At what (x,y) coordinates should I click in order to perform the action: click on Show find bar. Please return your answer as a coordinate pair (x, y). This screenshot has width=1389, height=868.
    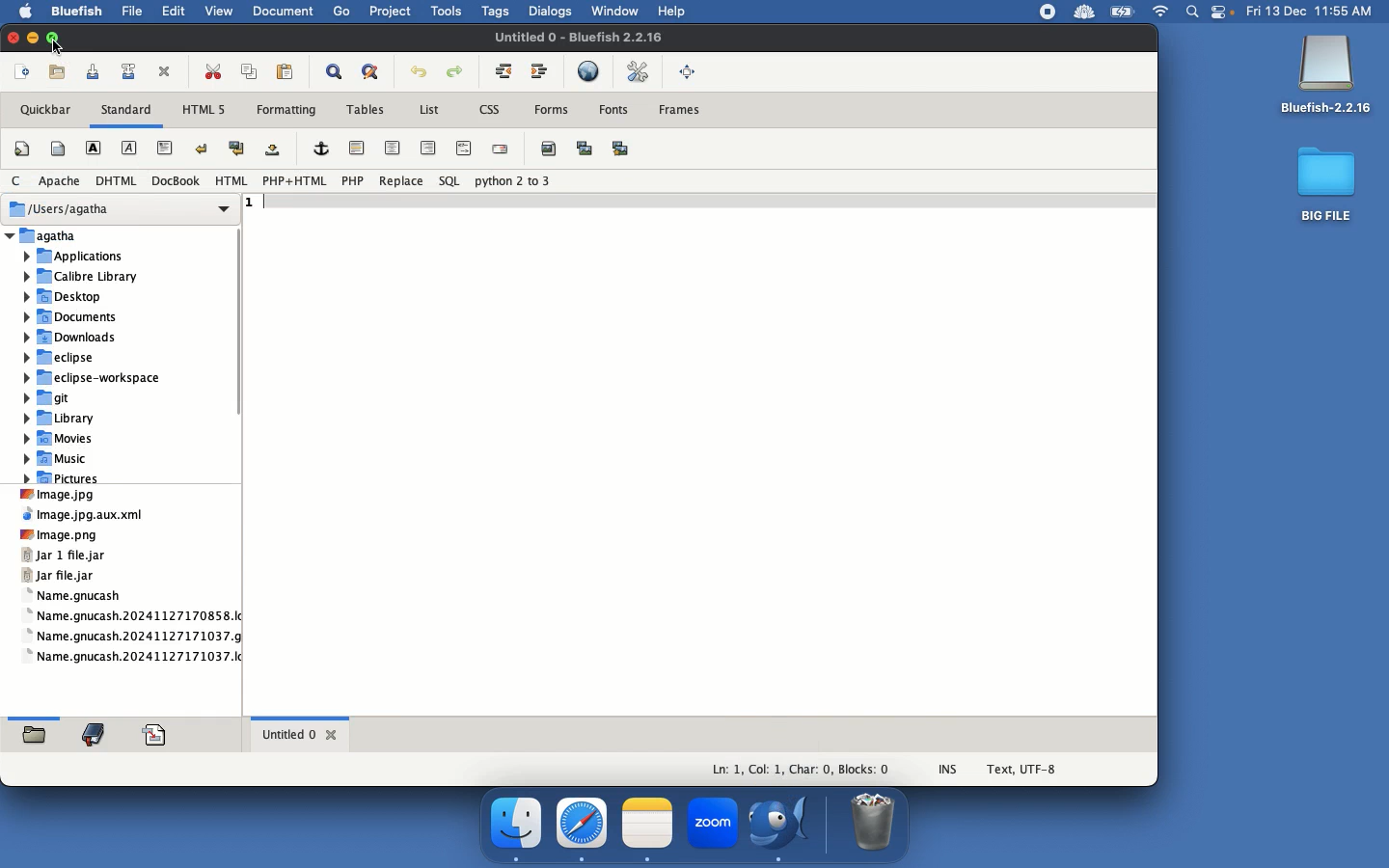
    Looking at the image, I should click on (332, 71).